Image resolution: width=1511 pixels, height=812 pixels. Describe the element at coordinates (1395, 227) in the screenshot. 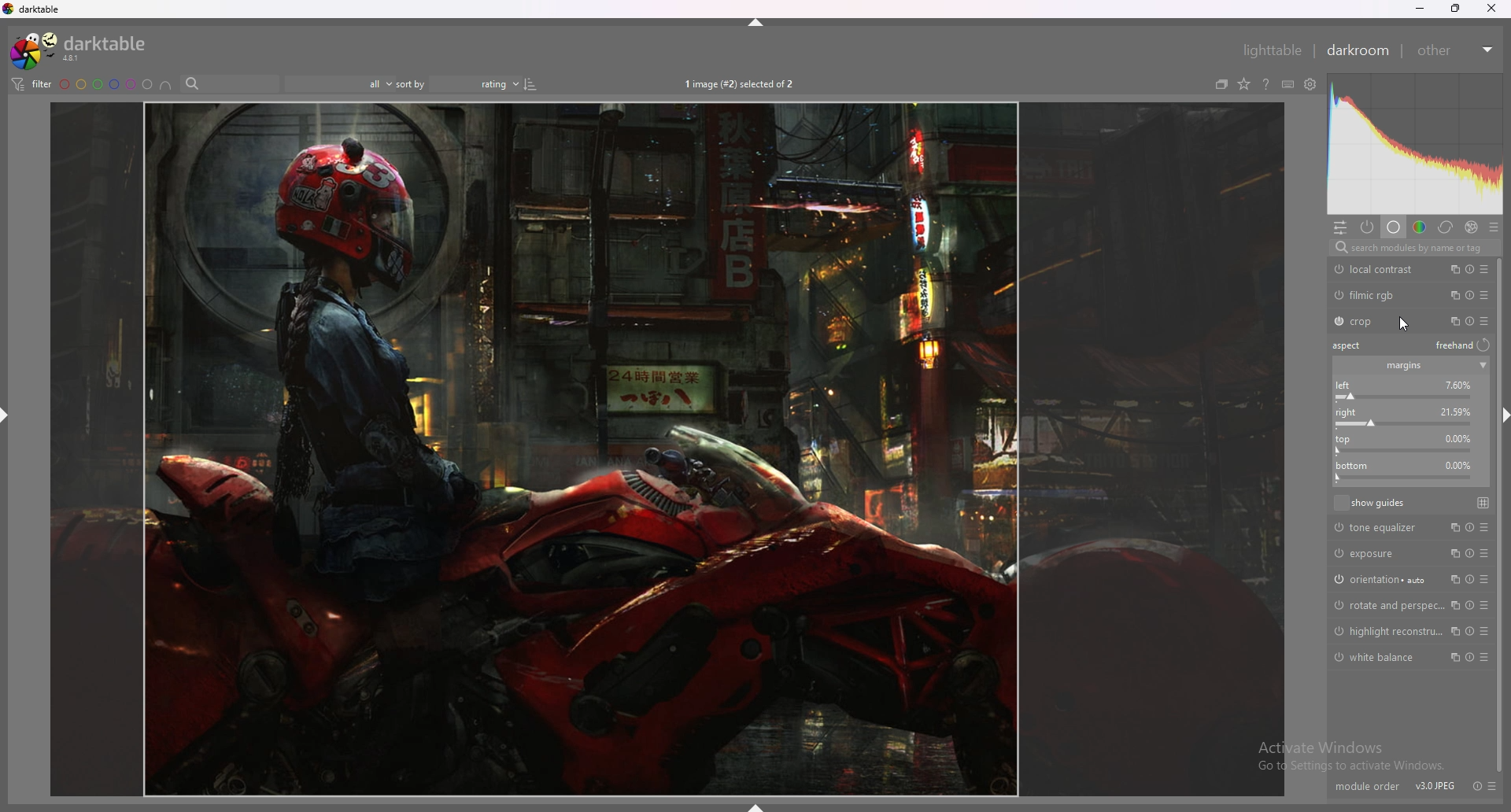

I see `base` at that location.